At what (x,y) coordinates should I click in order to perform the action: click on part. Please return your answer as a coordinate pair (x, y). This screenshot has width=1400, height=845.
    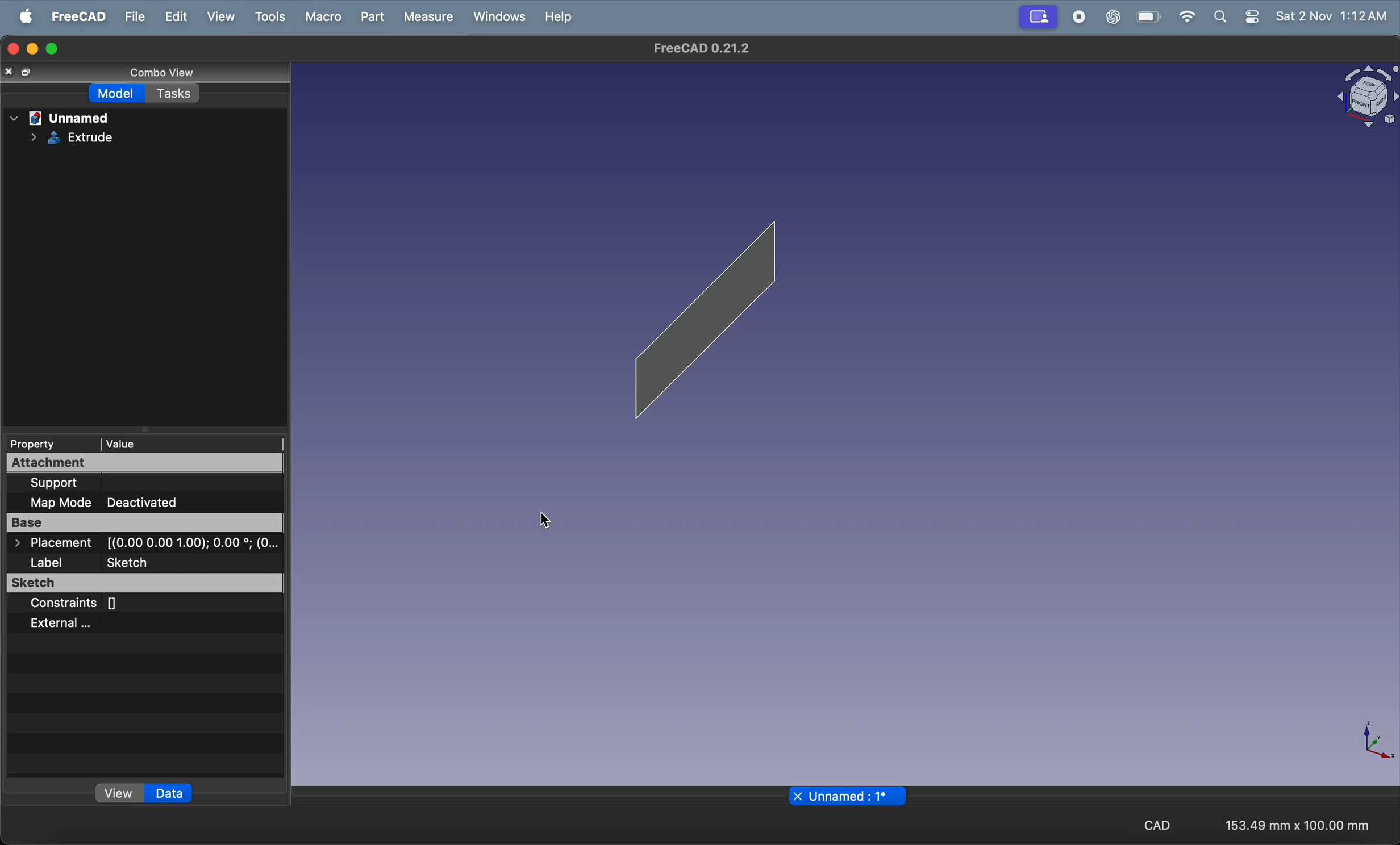
    Looking at the image, I should click on (371, 18).